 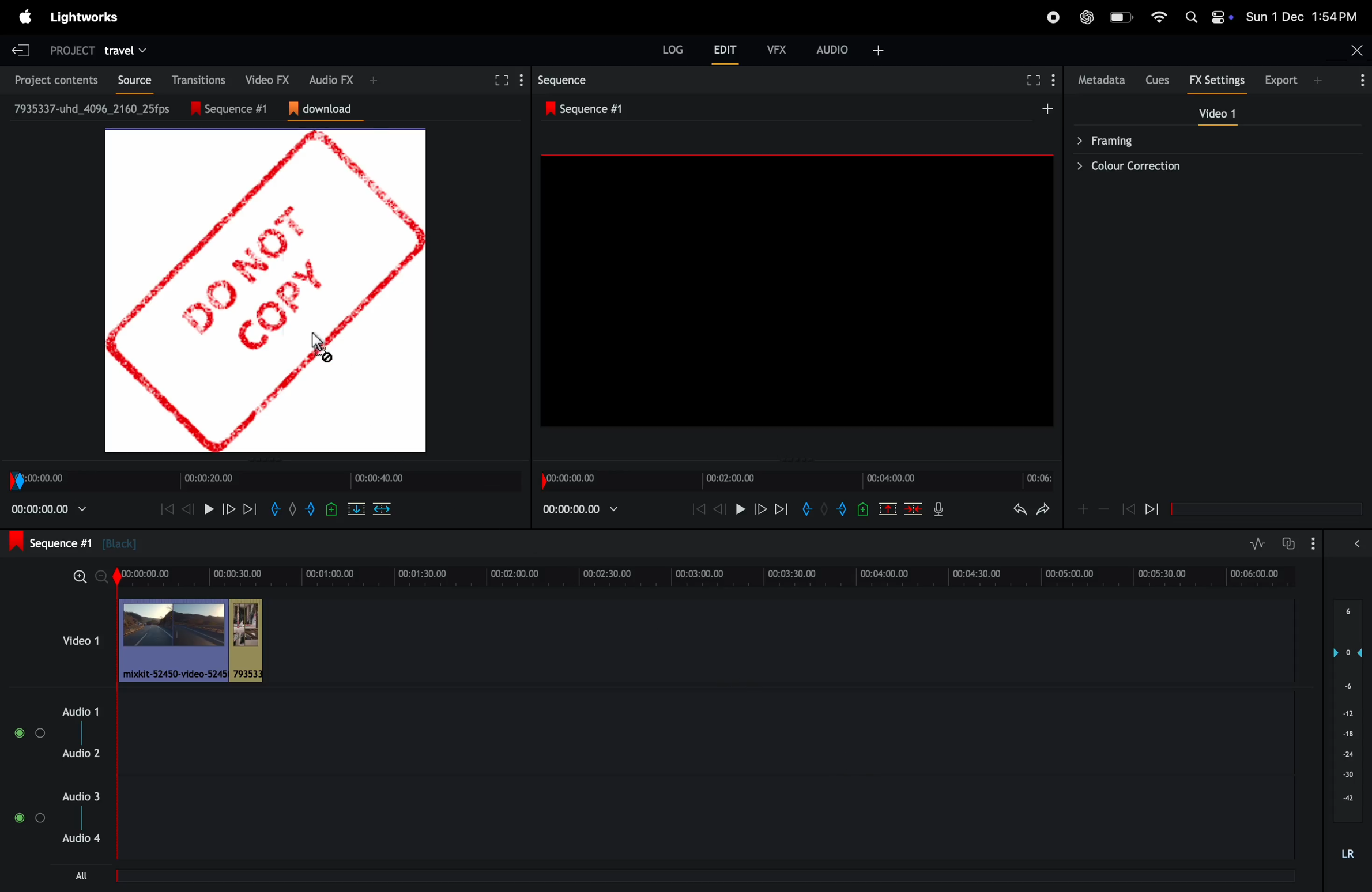 I want to click on next frame, so click(x=782, y=508).